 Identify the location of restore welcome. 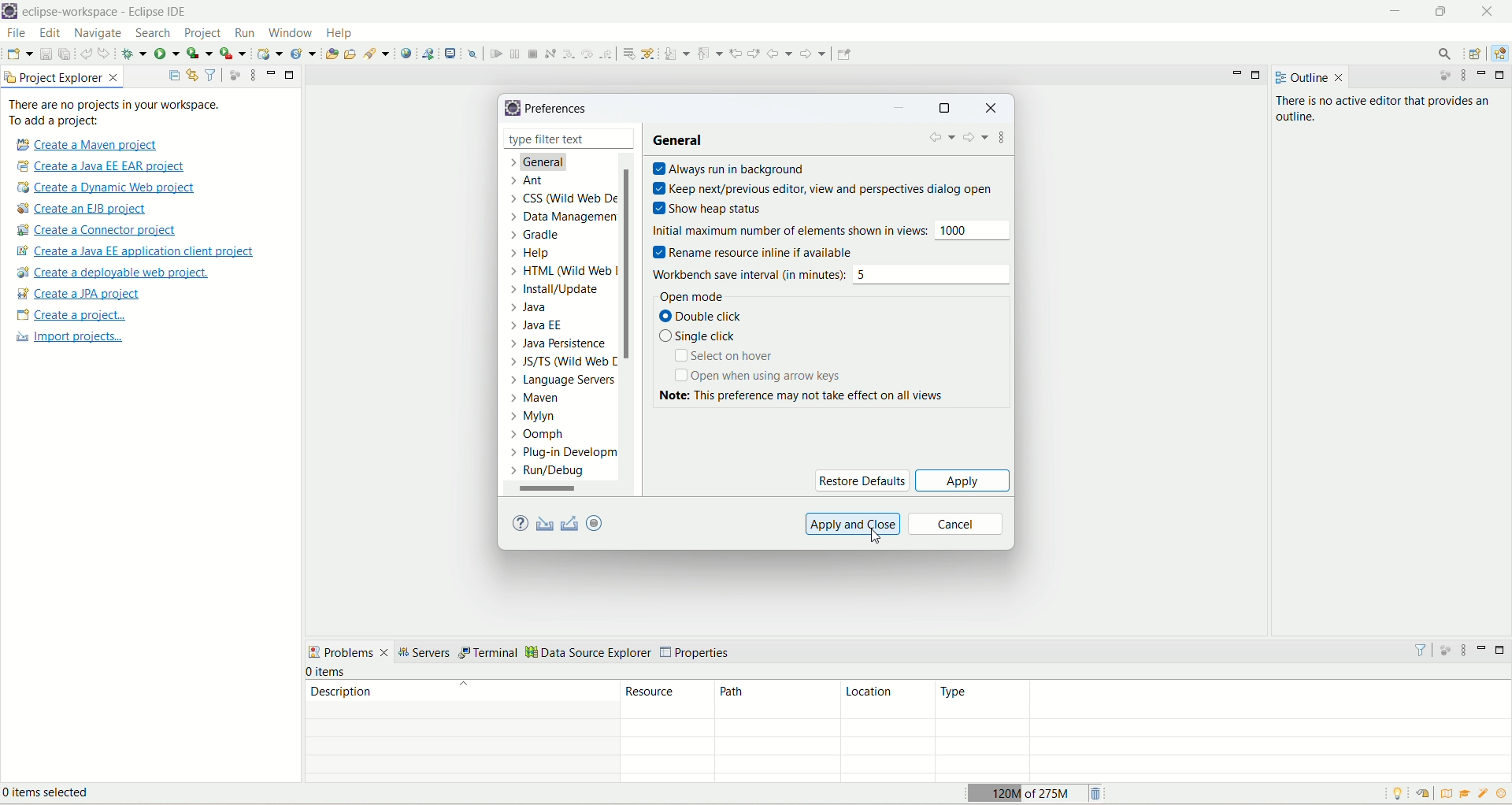
(1421, 794).